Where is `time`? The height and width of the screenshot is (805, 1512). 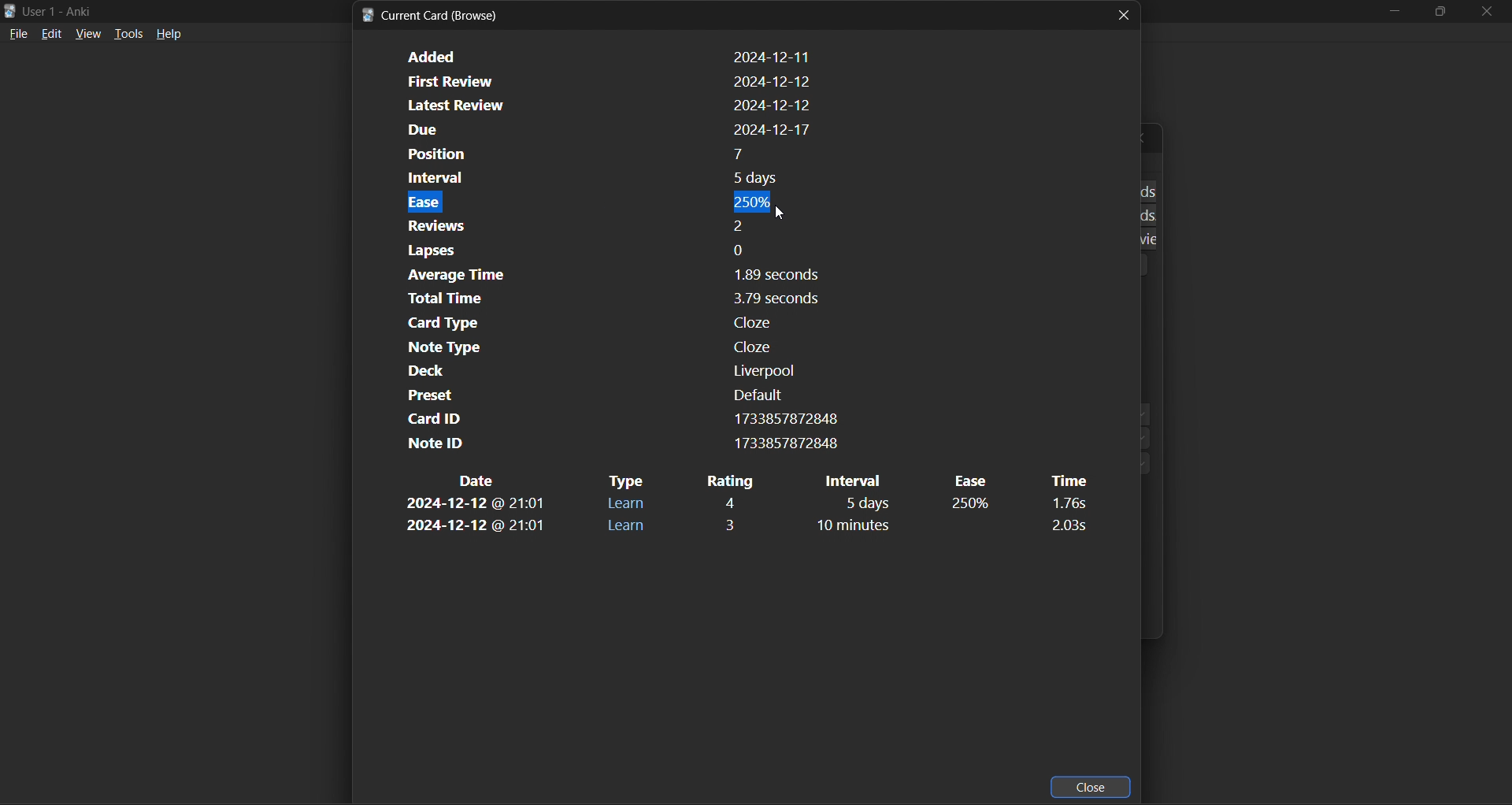 time is located at coordinates (1066, 525).